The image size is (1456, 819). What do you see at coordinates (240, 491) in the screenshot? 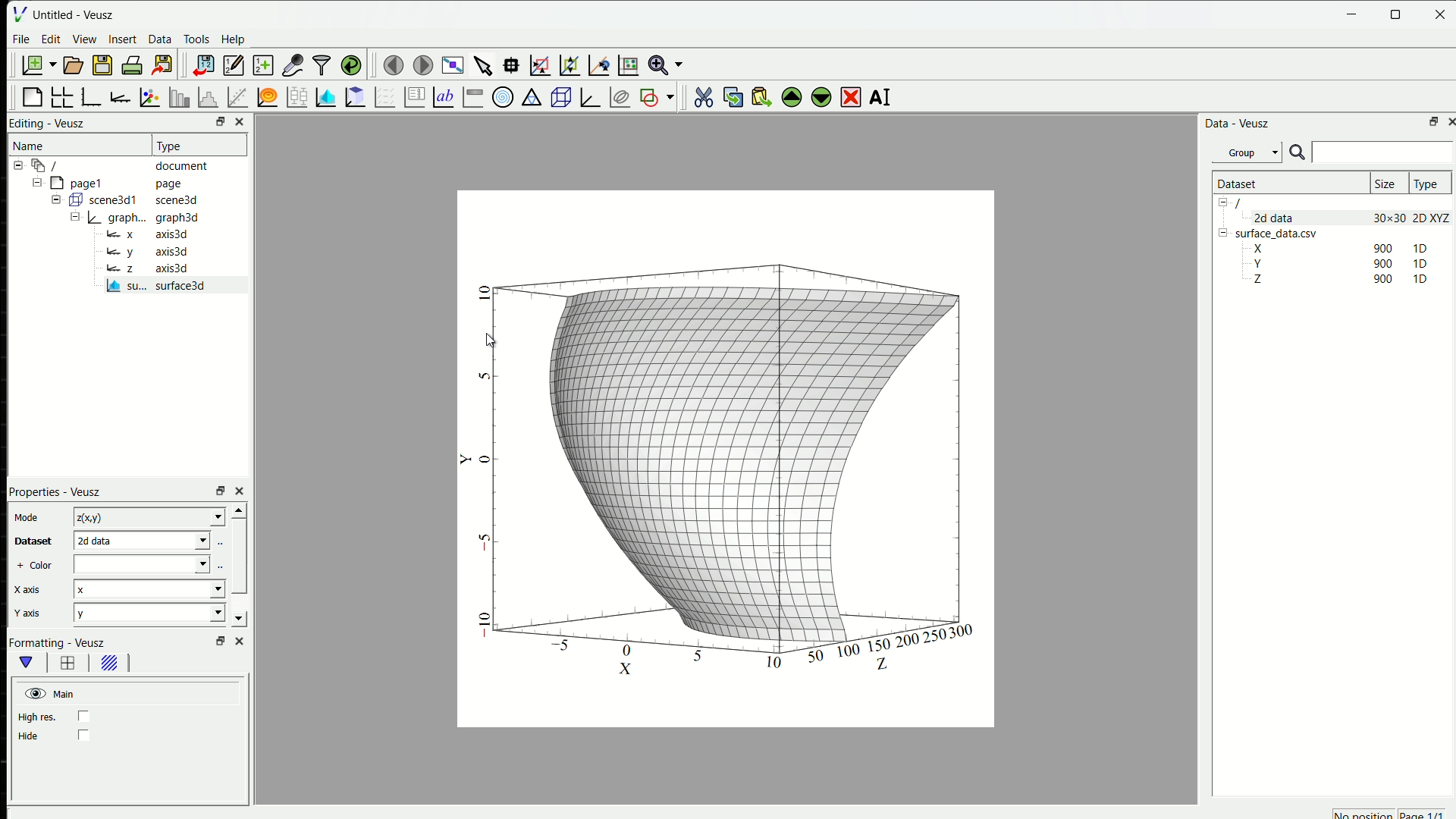
I see `close` at bounding box center [240, 491].